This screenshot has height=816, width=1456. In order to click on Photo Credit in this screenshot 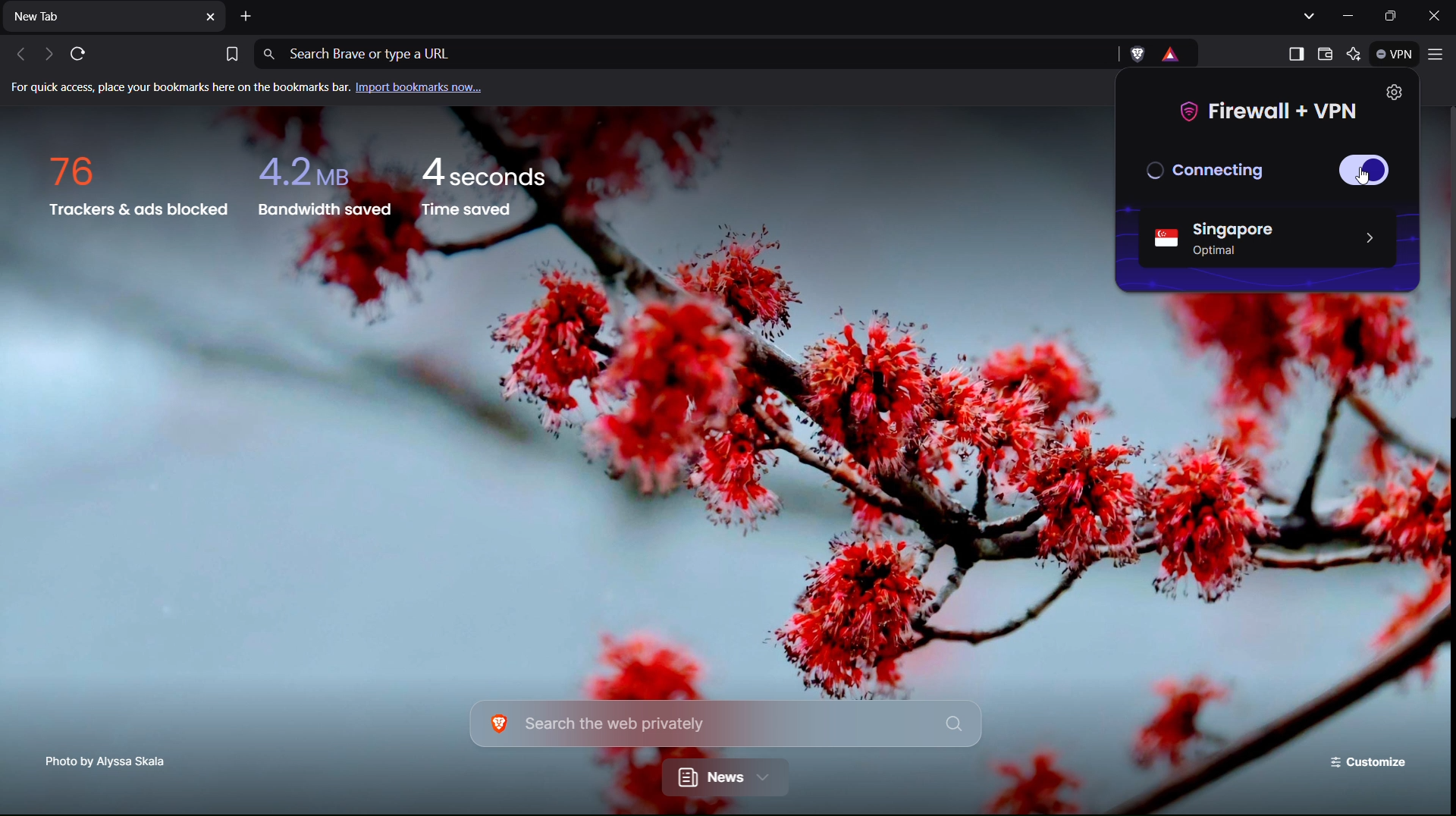, I will do `click(104, 761)`.